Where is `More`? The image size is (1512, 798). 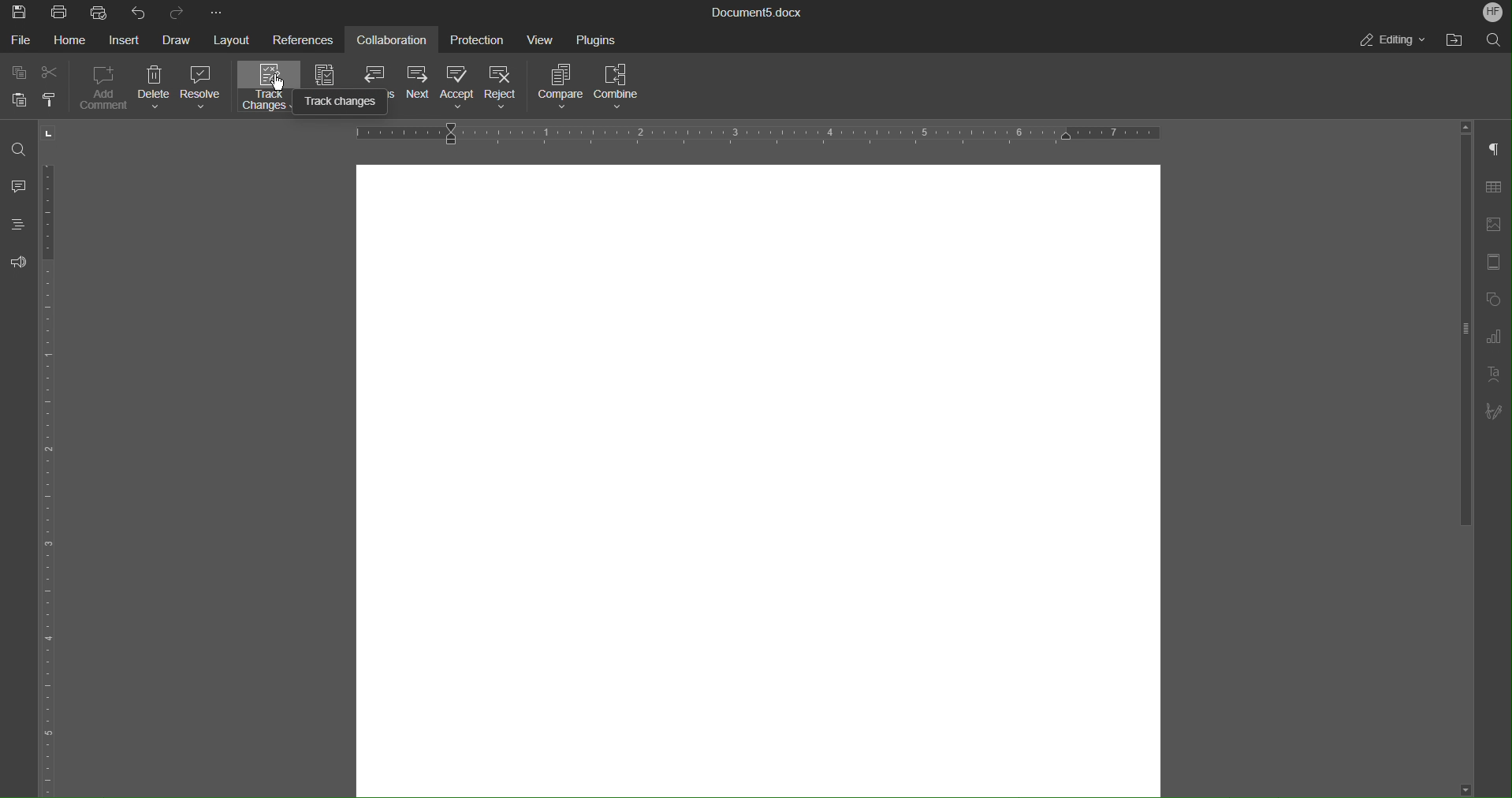 More is located at coordinates (223, 13).